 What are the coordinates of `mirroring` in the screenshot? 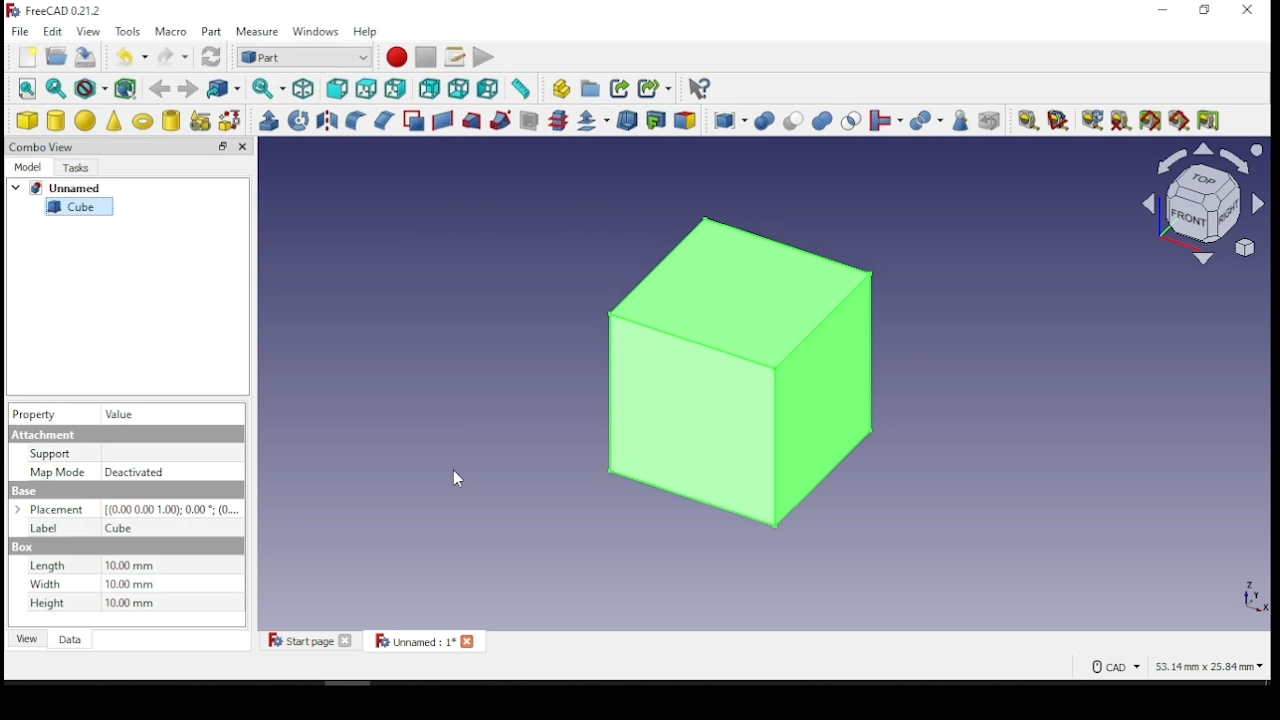 It's located at (327, 119).